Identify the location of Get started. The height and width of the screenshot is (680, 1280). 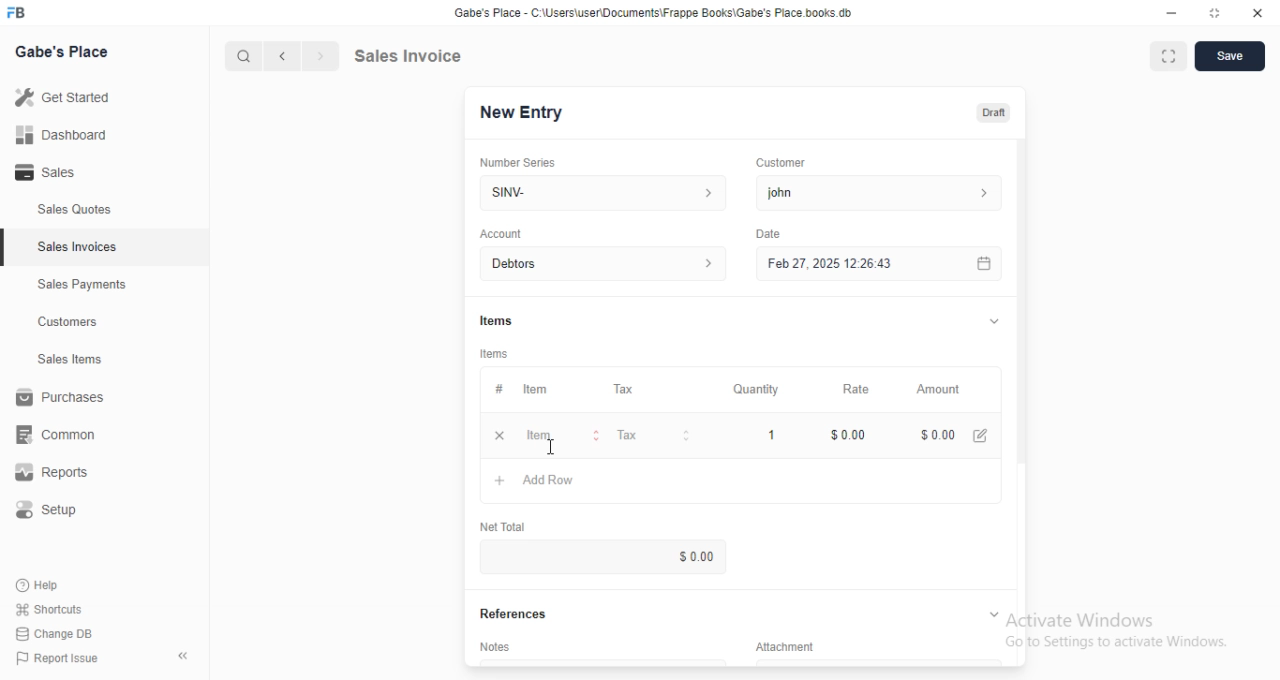
(65, 97).